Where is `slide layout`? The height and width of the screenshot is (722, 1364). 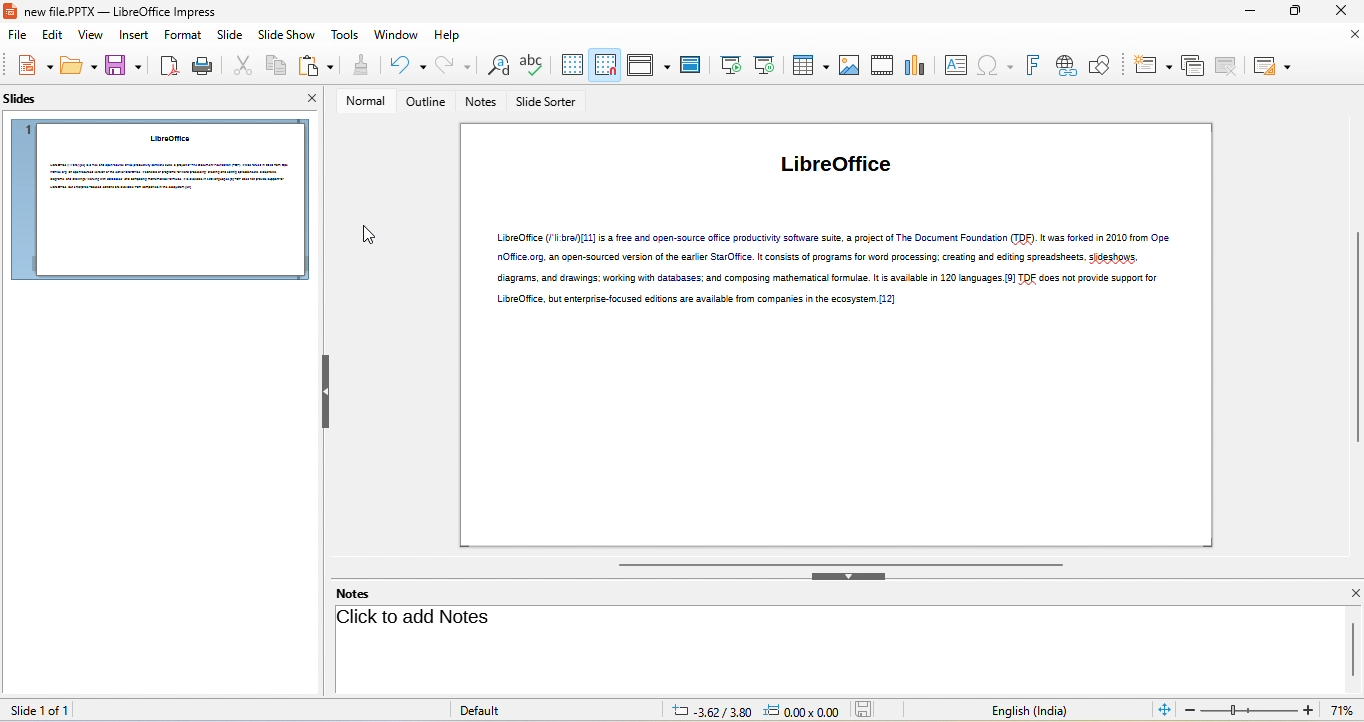
slide layout is located at coordinates (1275, 66).